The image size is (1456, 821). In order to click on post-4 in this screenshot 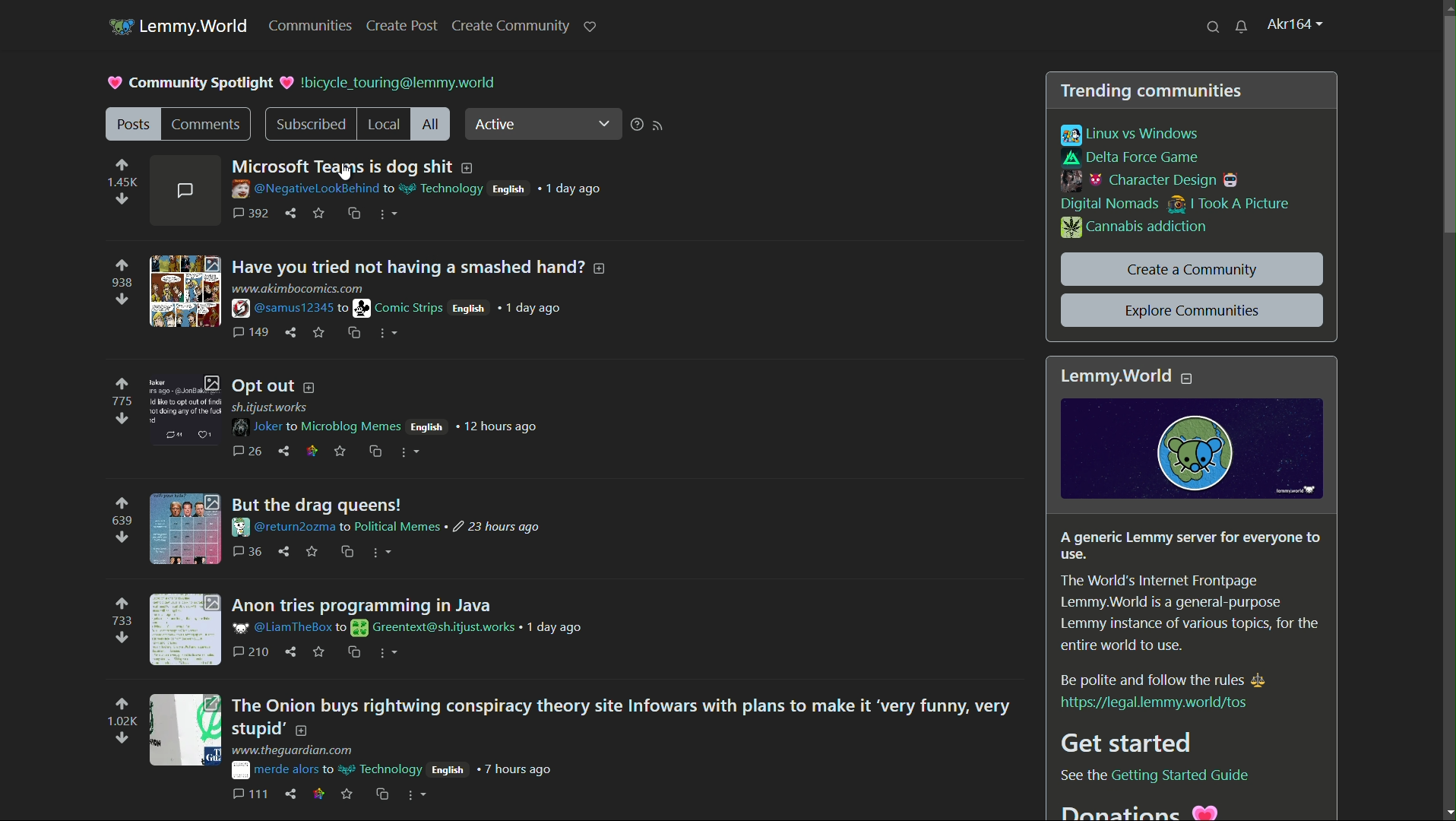, I will do `click(325, 504)`.